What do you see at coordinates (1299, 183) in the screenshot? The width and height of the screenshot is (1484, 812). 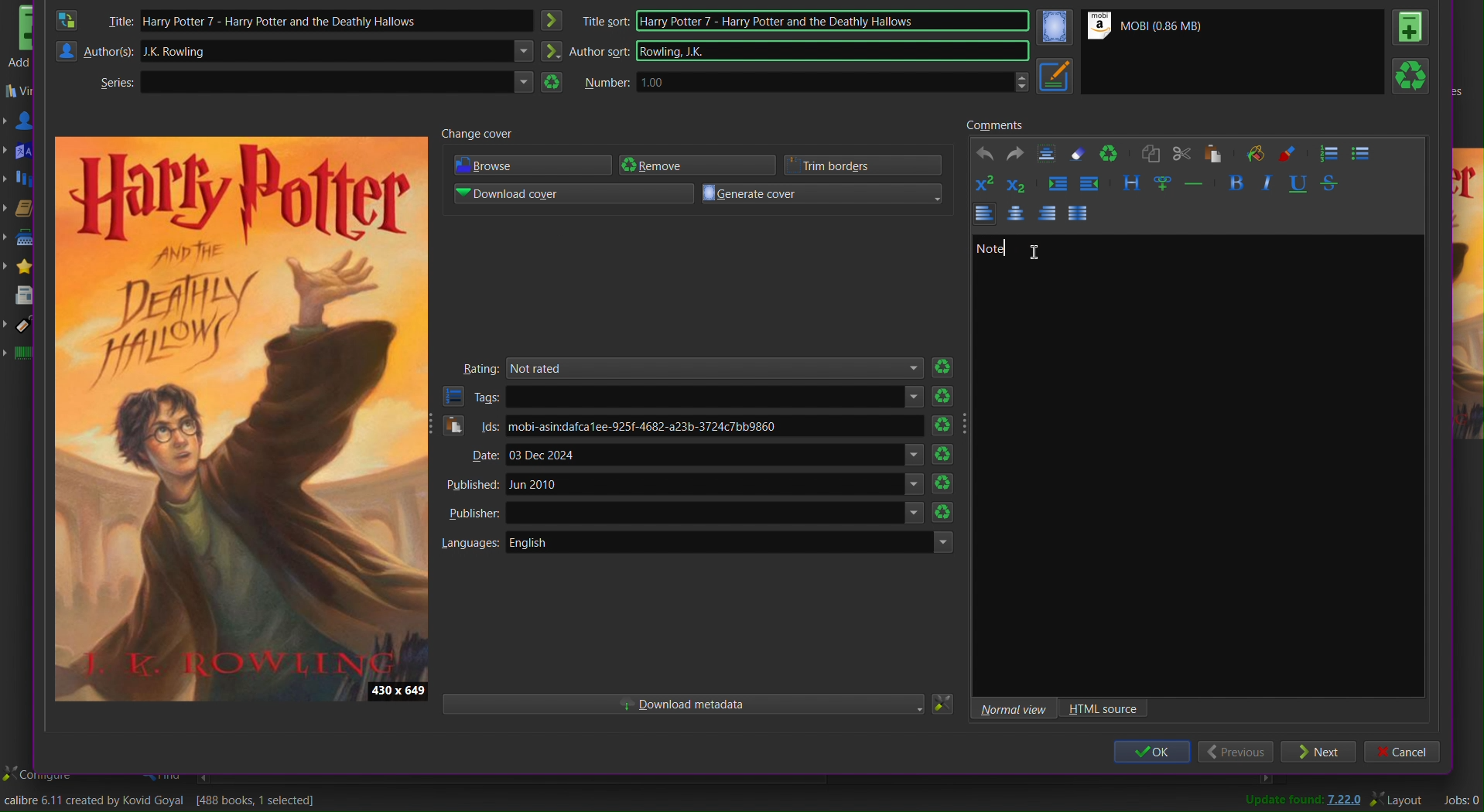 I see `Underline` at bounding box center [1299, 183].